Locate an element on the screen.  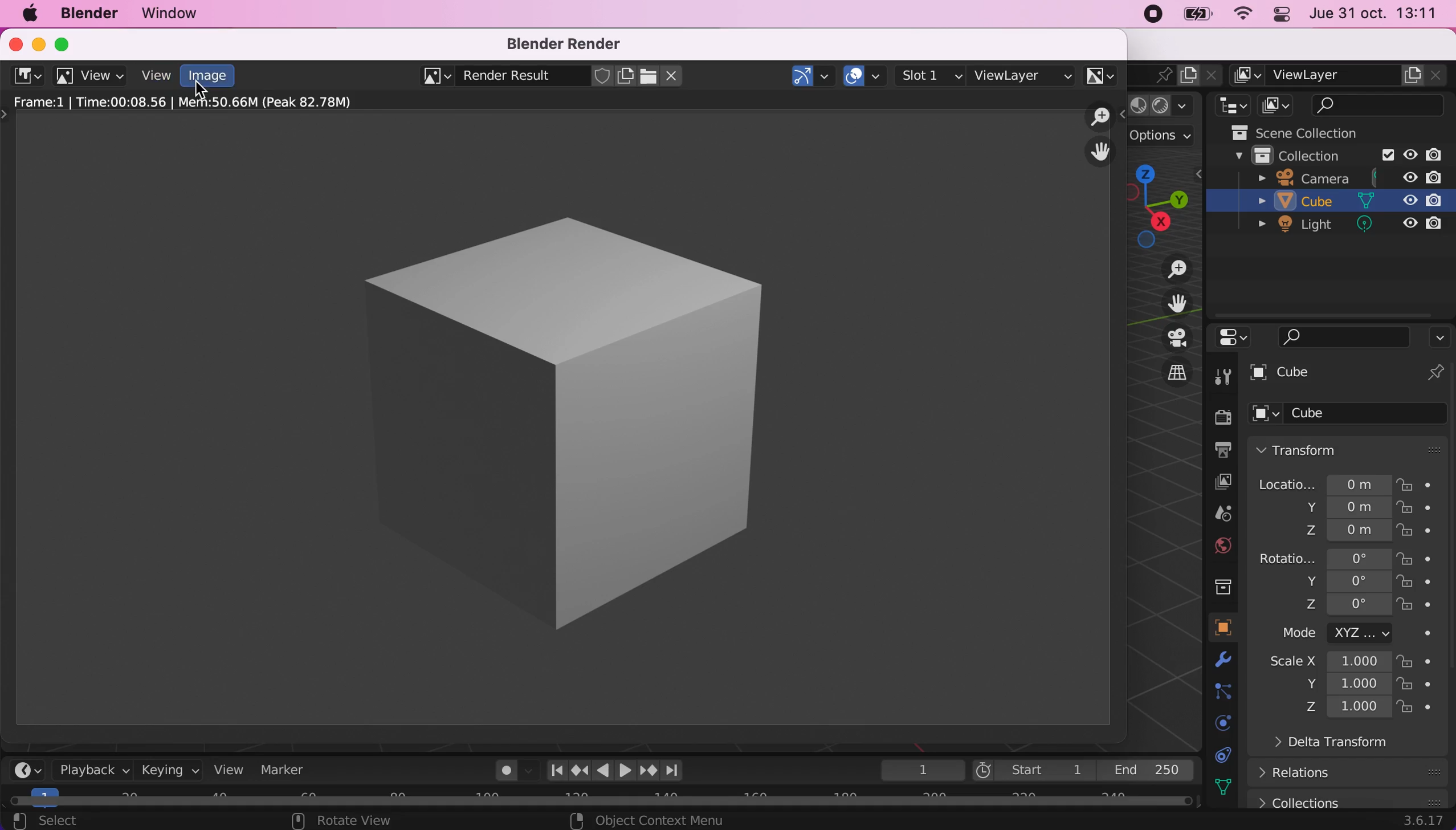
unlink data block is located at coordinates (675, 76).